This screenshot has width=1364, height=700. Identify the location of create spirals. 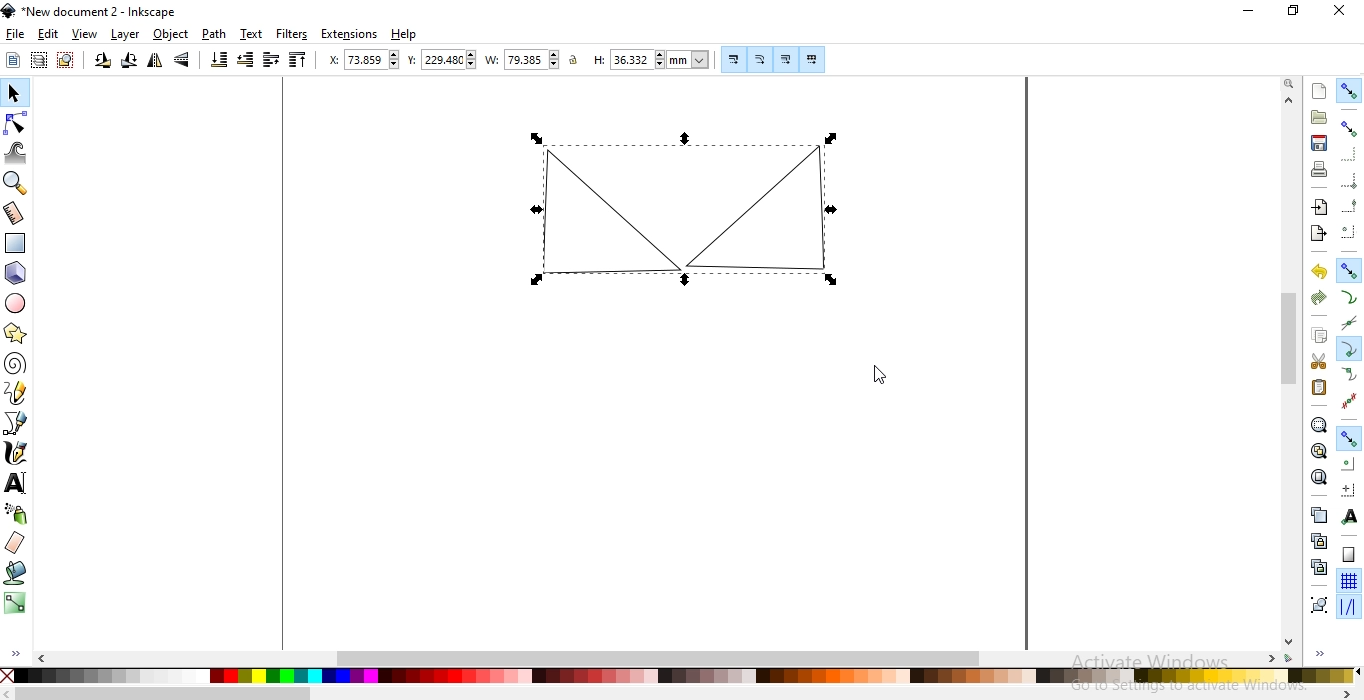
(17, 364).